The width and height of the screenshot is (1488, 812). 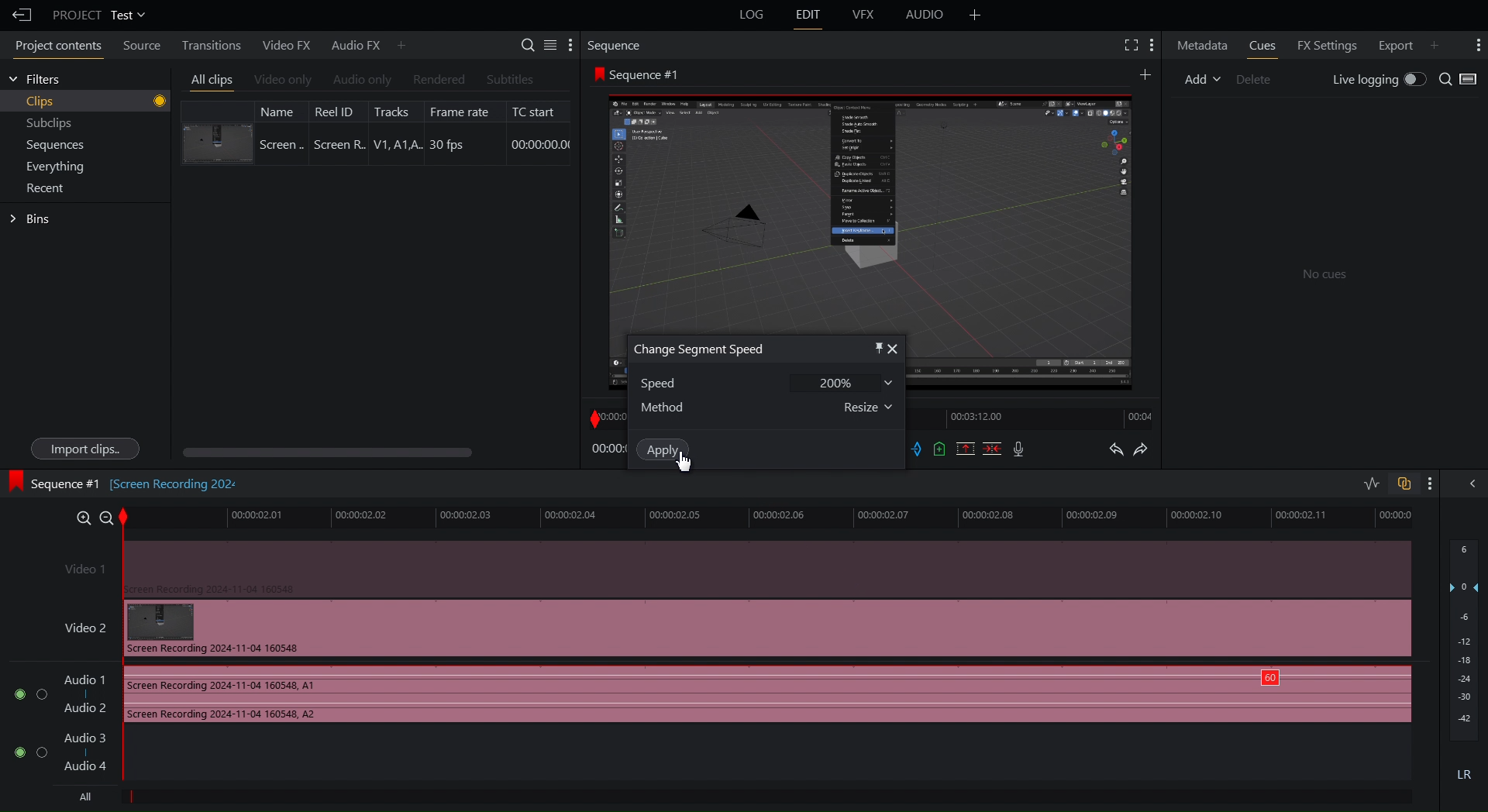 I want to click on Log , so click(x=749, y=15).